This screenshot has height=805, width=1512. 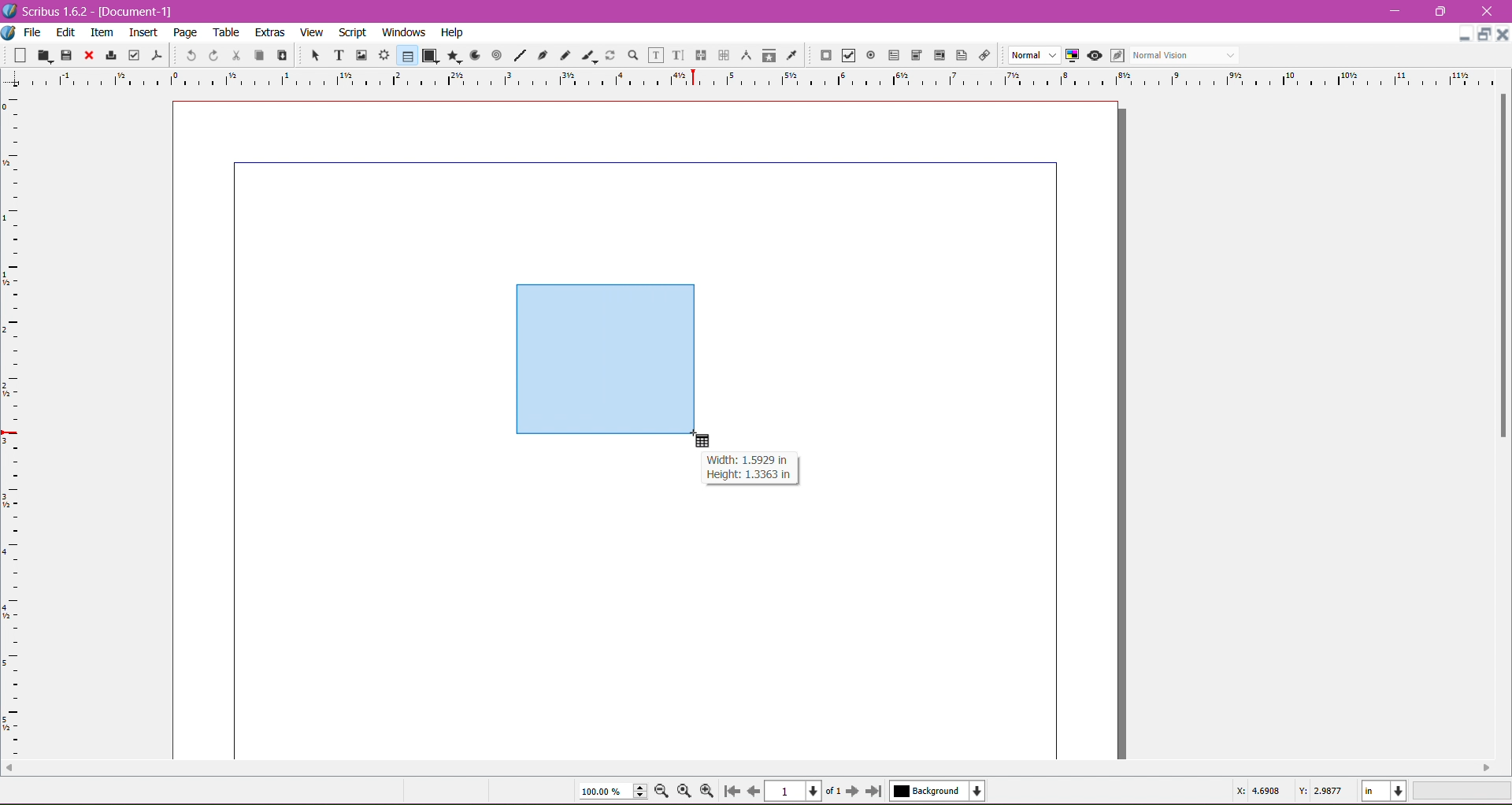 What do you see at coordinates (541, 54) in the screenshot?
I see `Bezier Curve` at bounding box center [541, 54].